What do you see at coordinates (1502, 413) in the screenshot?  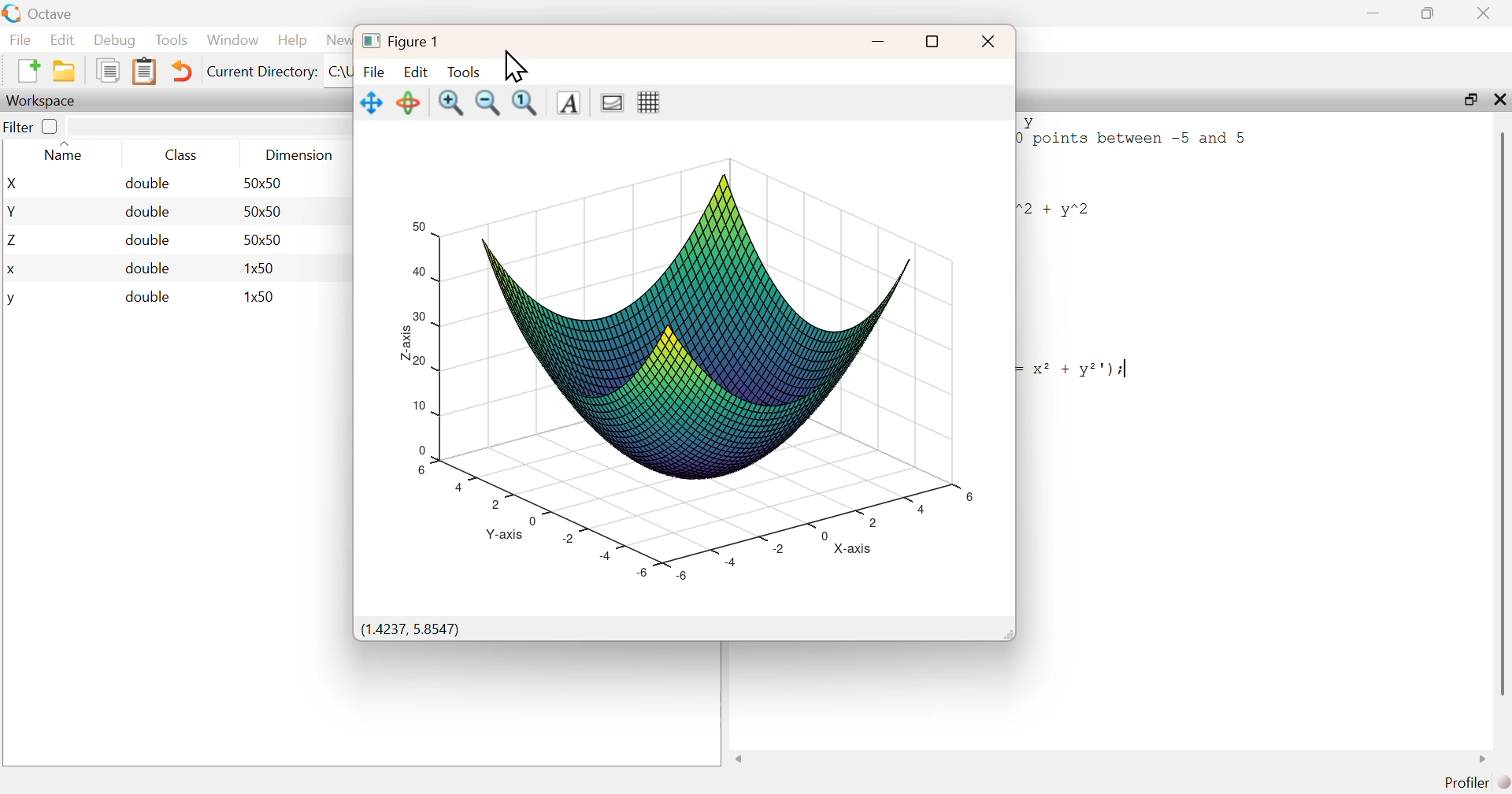 I see `scroll bar` at bounding box center [1502, 413].